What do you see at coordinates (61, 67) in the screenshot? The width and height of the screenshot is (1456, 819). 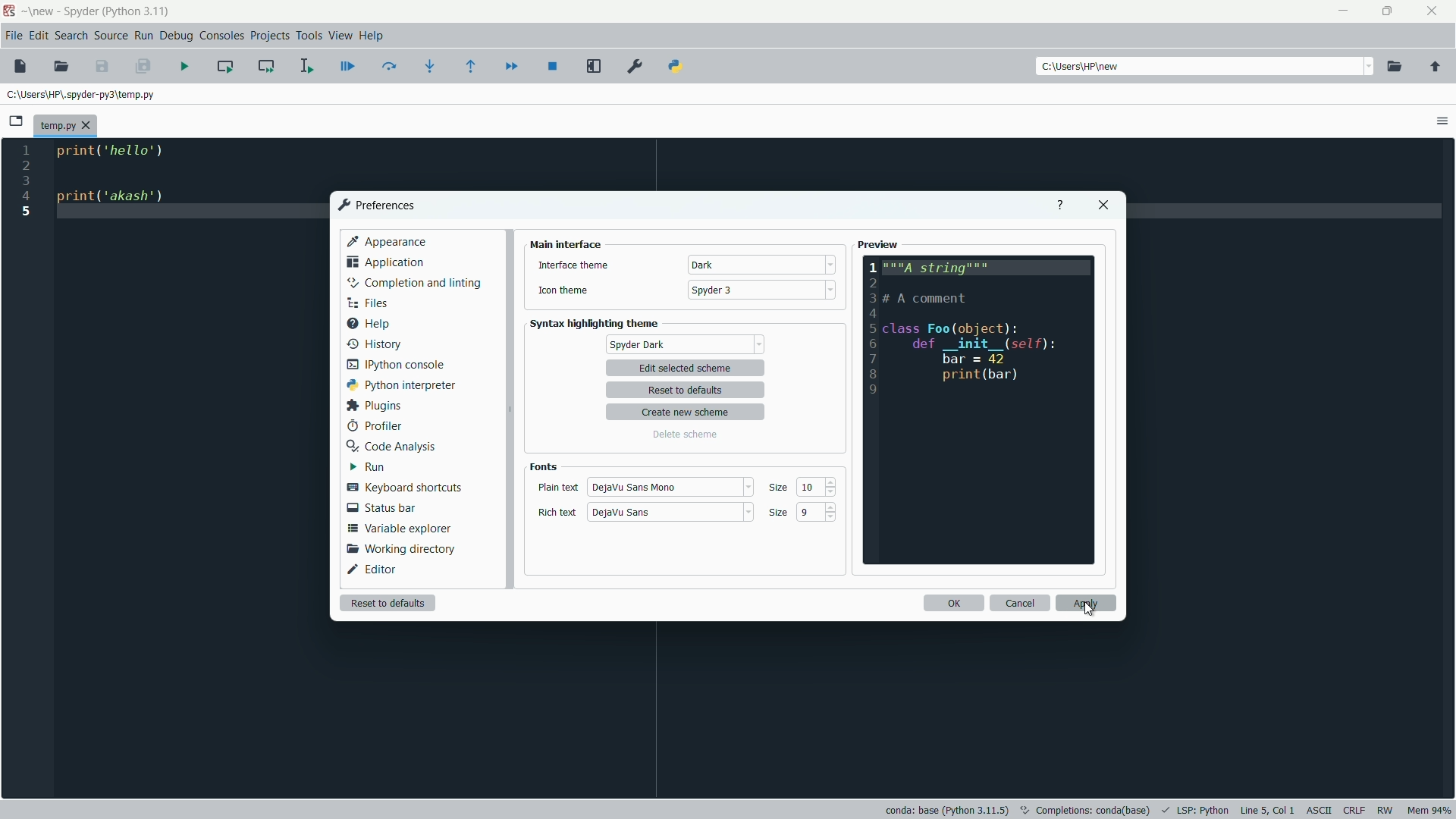 I see `open file` at bounding box center [61, 67].